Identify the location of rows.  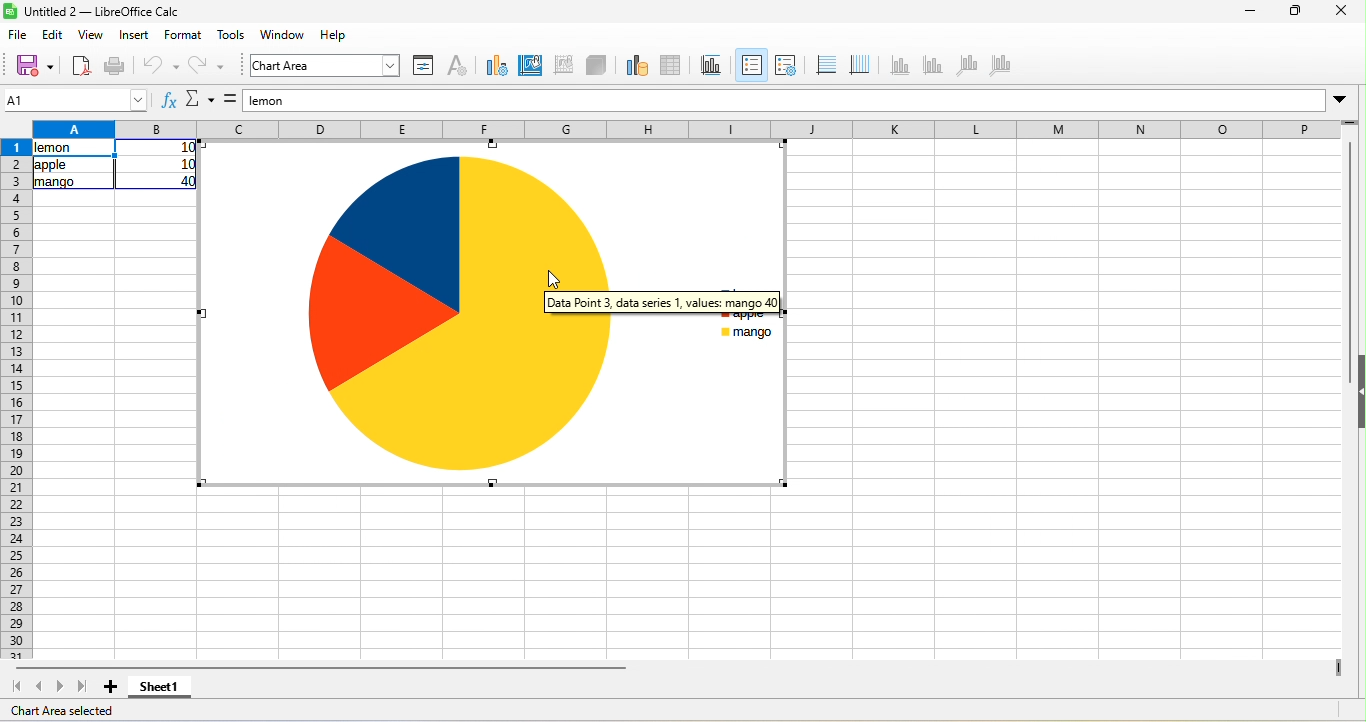
(16, 399).